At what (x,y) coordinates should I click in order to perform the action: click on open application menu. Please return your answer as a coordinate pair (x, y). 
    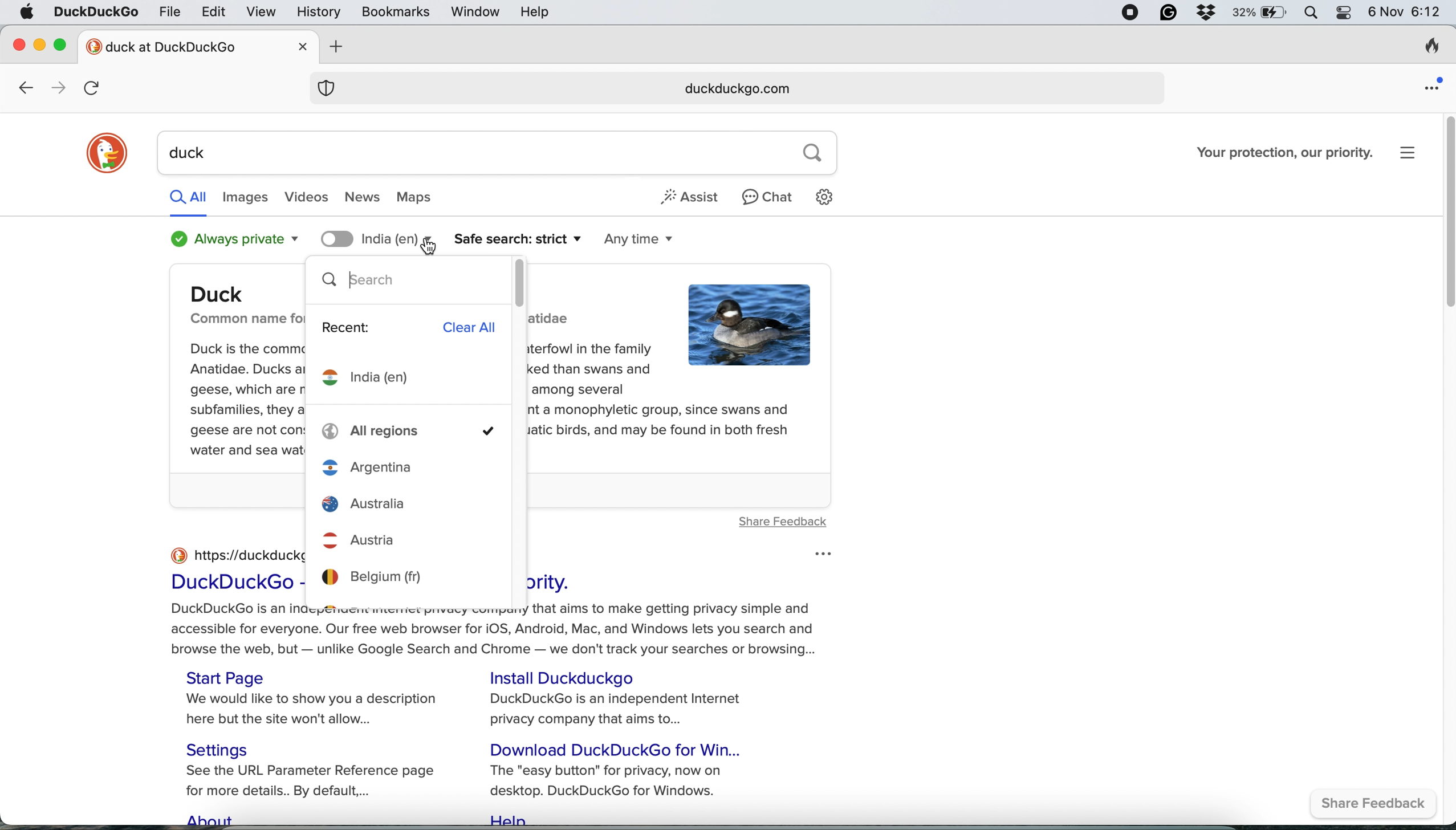
    Looking at the image, I should click on (1434, 83).